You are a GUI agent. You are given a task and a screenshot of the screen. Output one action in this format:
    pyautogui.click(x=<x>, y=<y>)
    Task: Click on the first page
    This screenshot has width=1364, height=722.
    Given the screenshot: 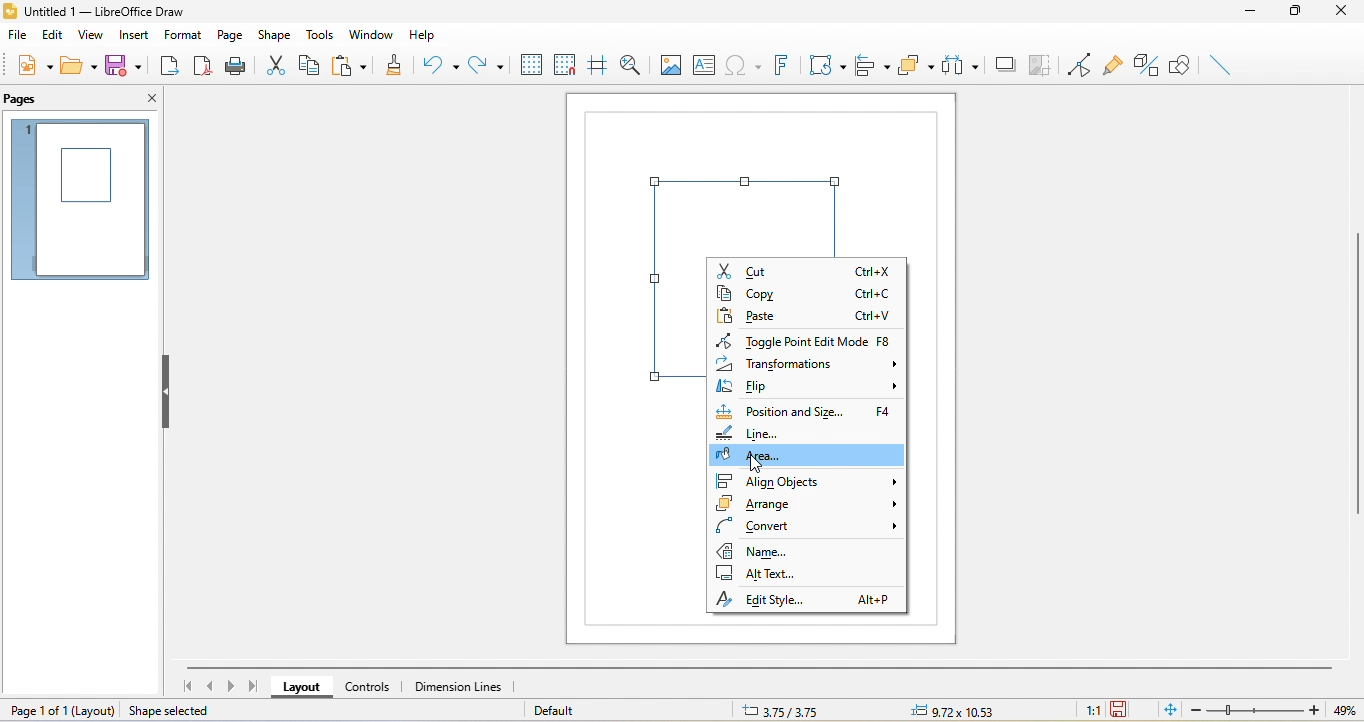 What is the action you would take?
    pyautogui.click(x=189, y=686)
    